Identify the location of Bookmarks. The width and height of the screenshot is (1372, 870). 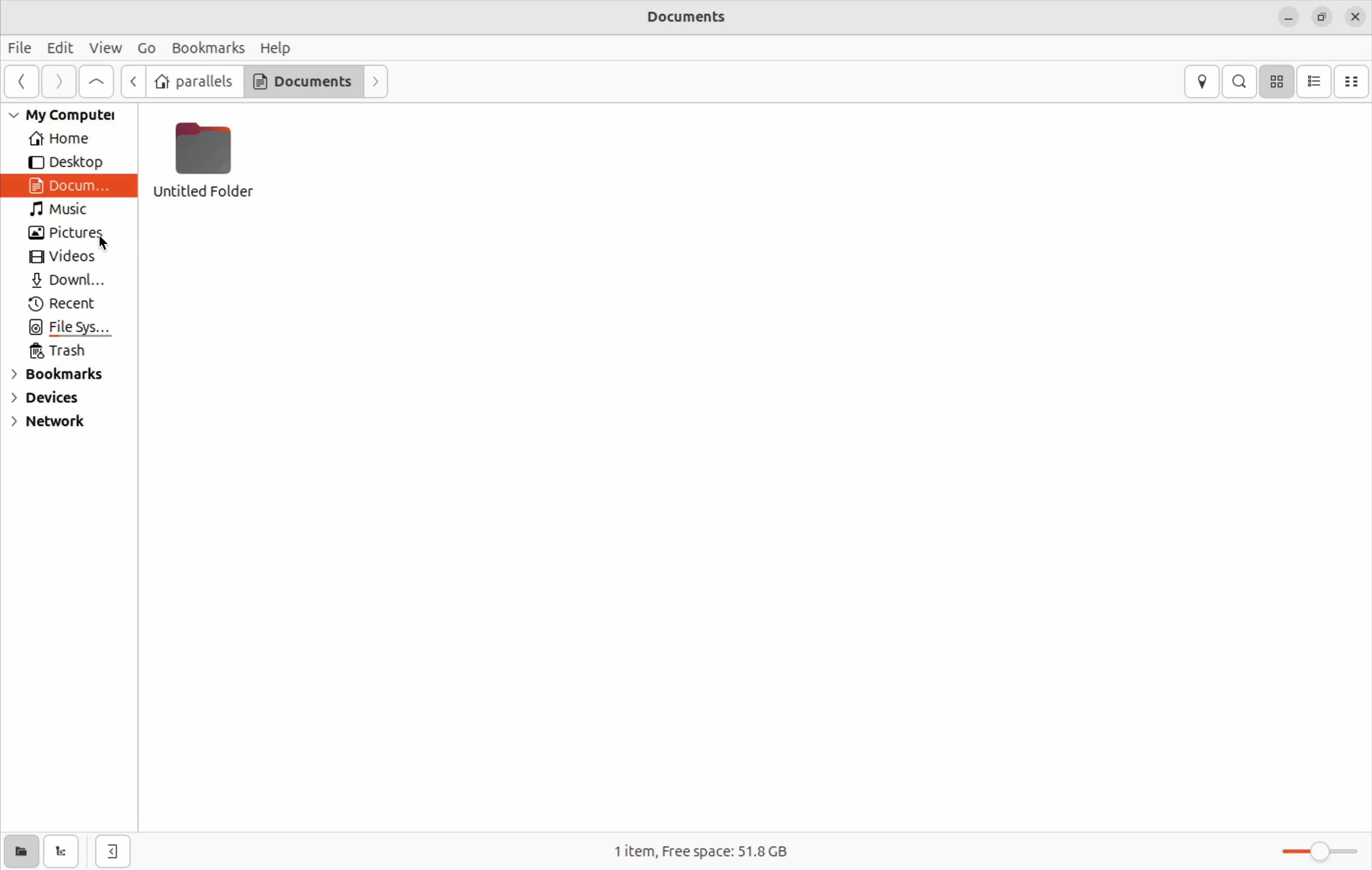
(57, 375).